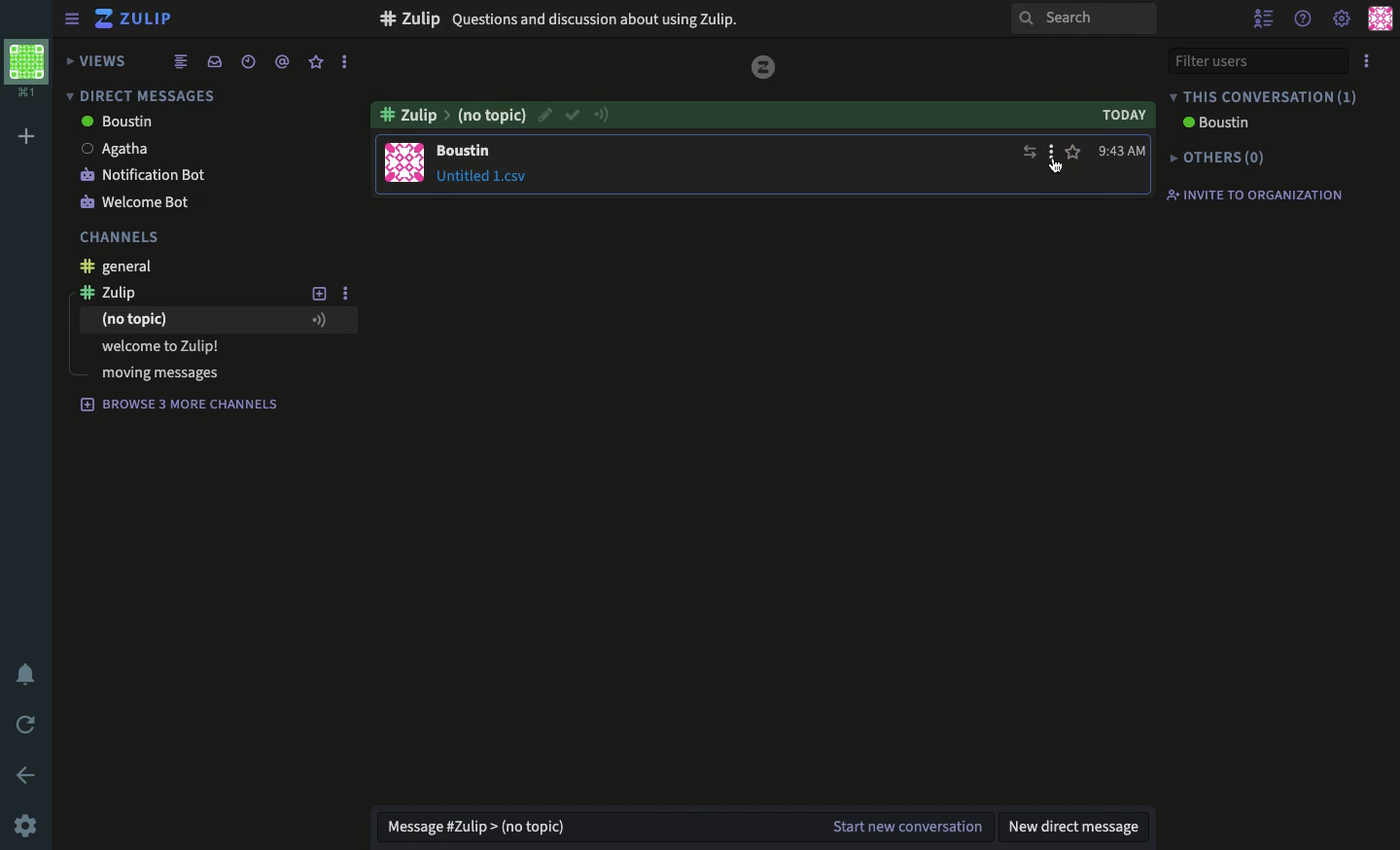  What do you see at coordinates (1076, 822) in the screenshot?
I see `new direct message ` at bounding box center [1076, 822].